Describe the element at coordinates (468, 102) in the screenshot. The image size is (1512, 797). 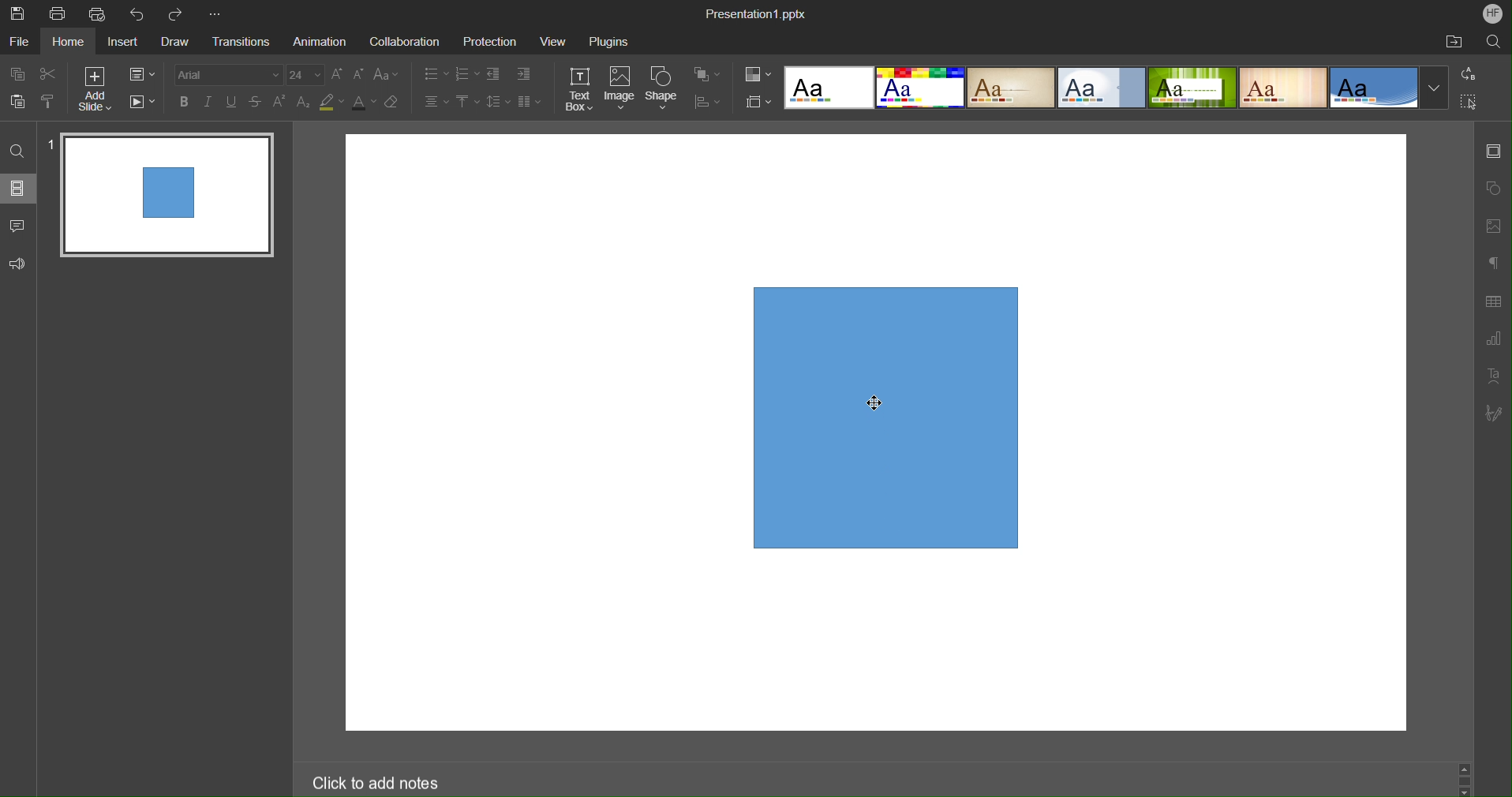
I see `Vertical Align` at that location.